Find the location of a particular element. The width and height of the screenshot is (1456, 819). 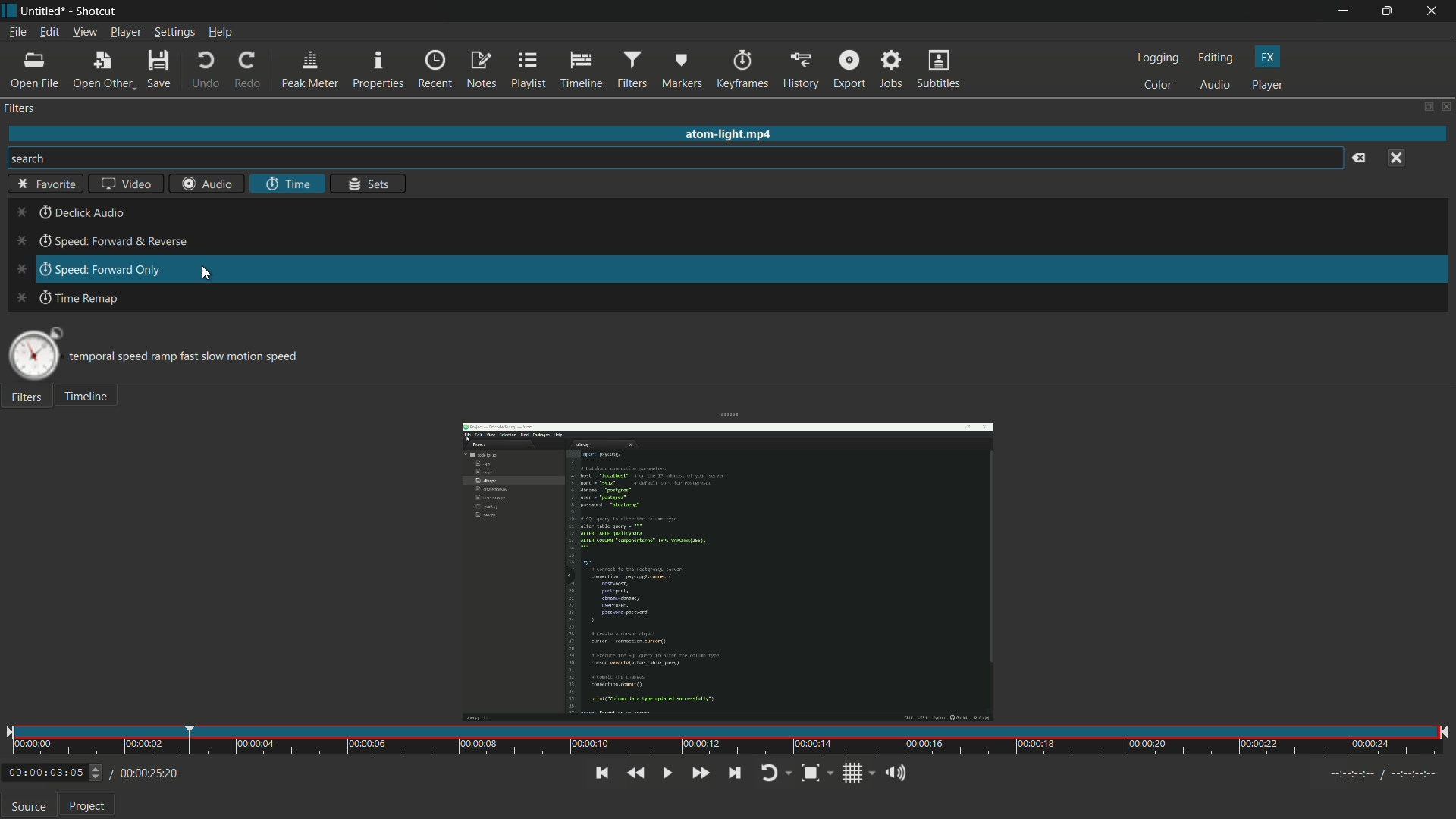

toggle zoom is located at coordinates (814, 773).